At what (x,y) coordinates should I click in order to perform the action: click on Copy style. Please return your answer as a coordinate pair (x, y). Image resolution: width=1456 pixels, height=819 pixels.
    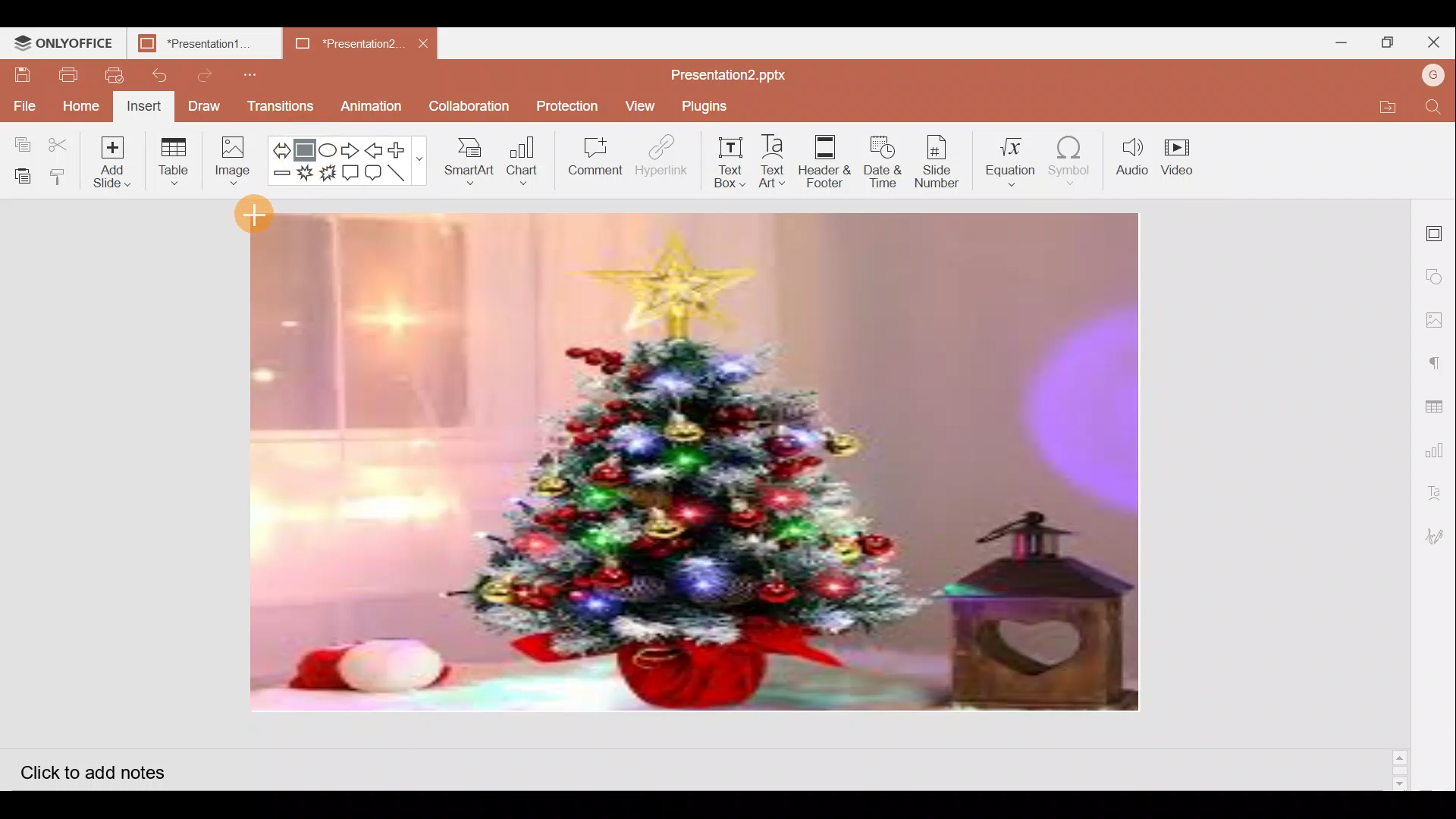
    Looking at the image, I should click on (61, 176).